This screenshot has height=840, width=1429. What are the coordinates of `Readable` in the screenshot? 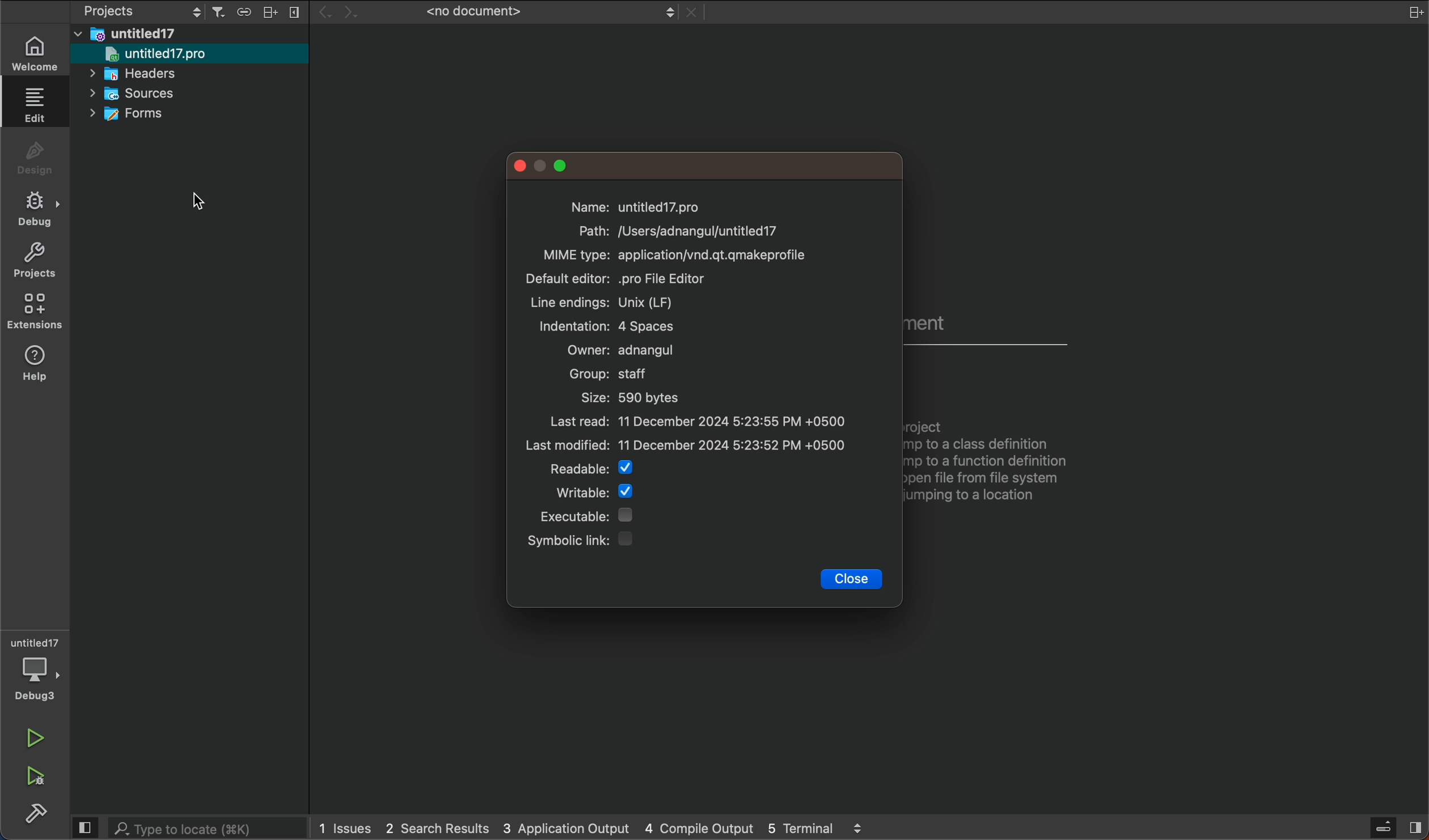 It's located at (586, 467).